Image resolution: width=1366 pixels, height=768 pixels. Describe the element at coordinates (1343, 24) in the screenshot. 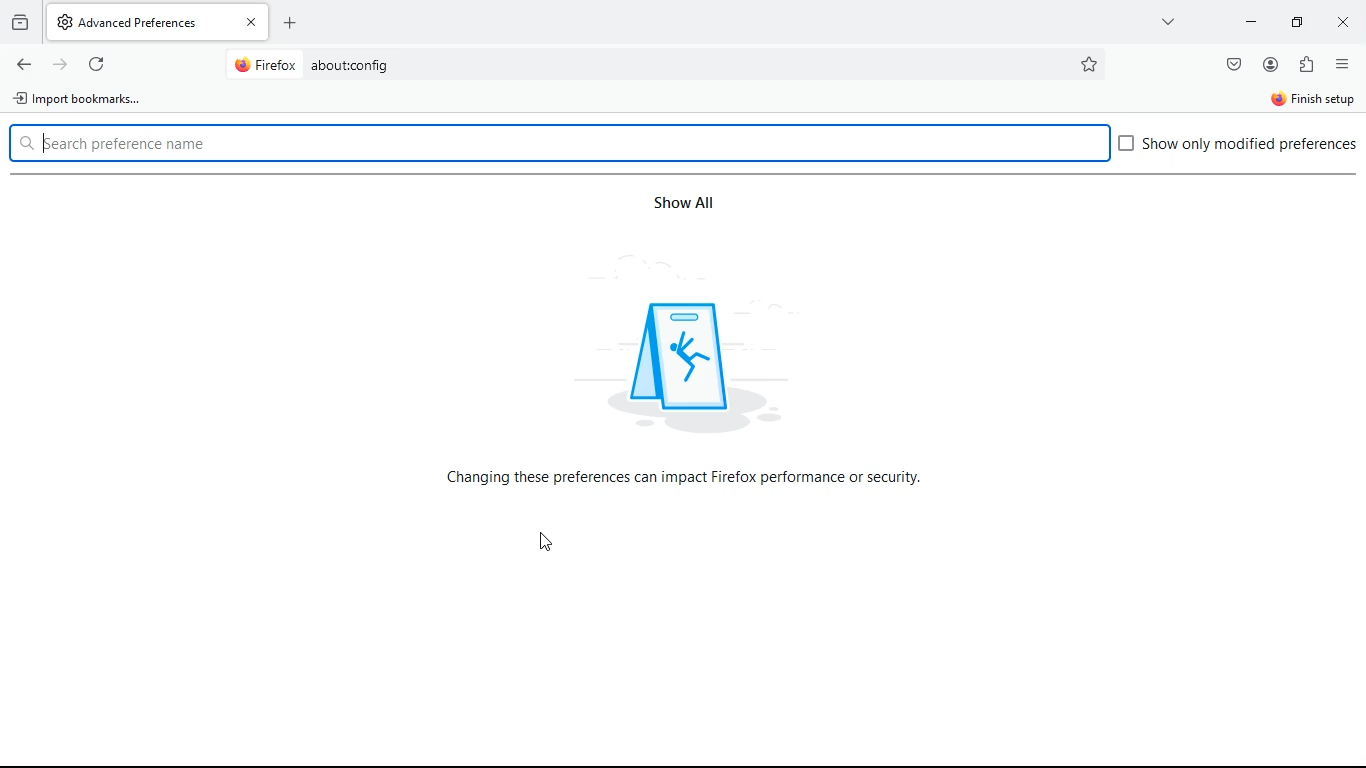

I see `close` at that location.